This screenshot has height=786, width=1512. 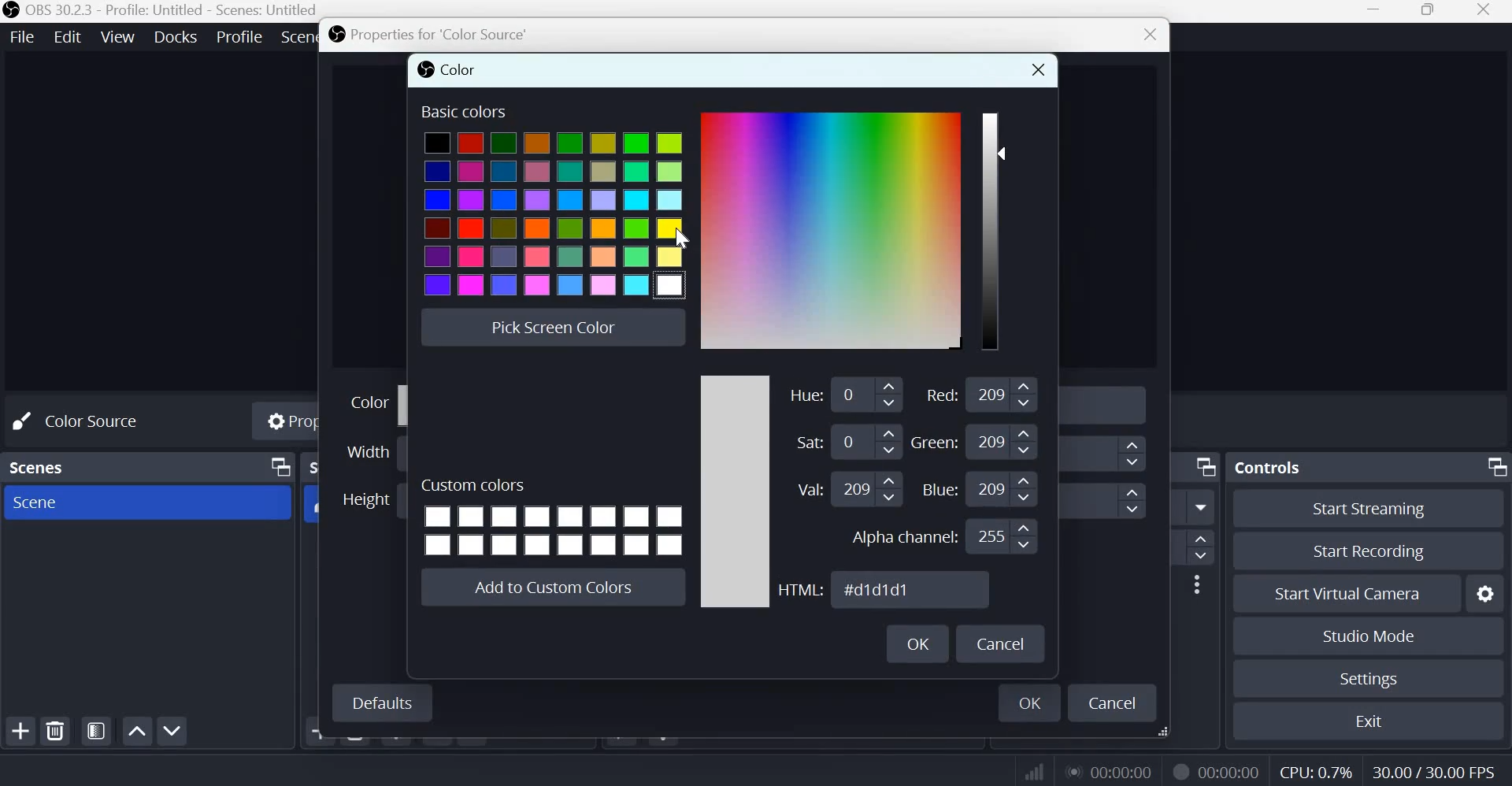 What do you see at coordinates (1429, 770) in the screenshot?
I see `Frame Rate (FPS)` at bounding box center [1429, 770].